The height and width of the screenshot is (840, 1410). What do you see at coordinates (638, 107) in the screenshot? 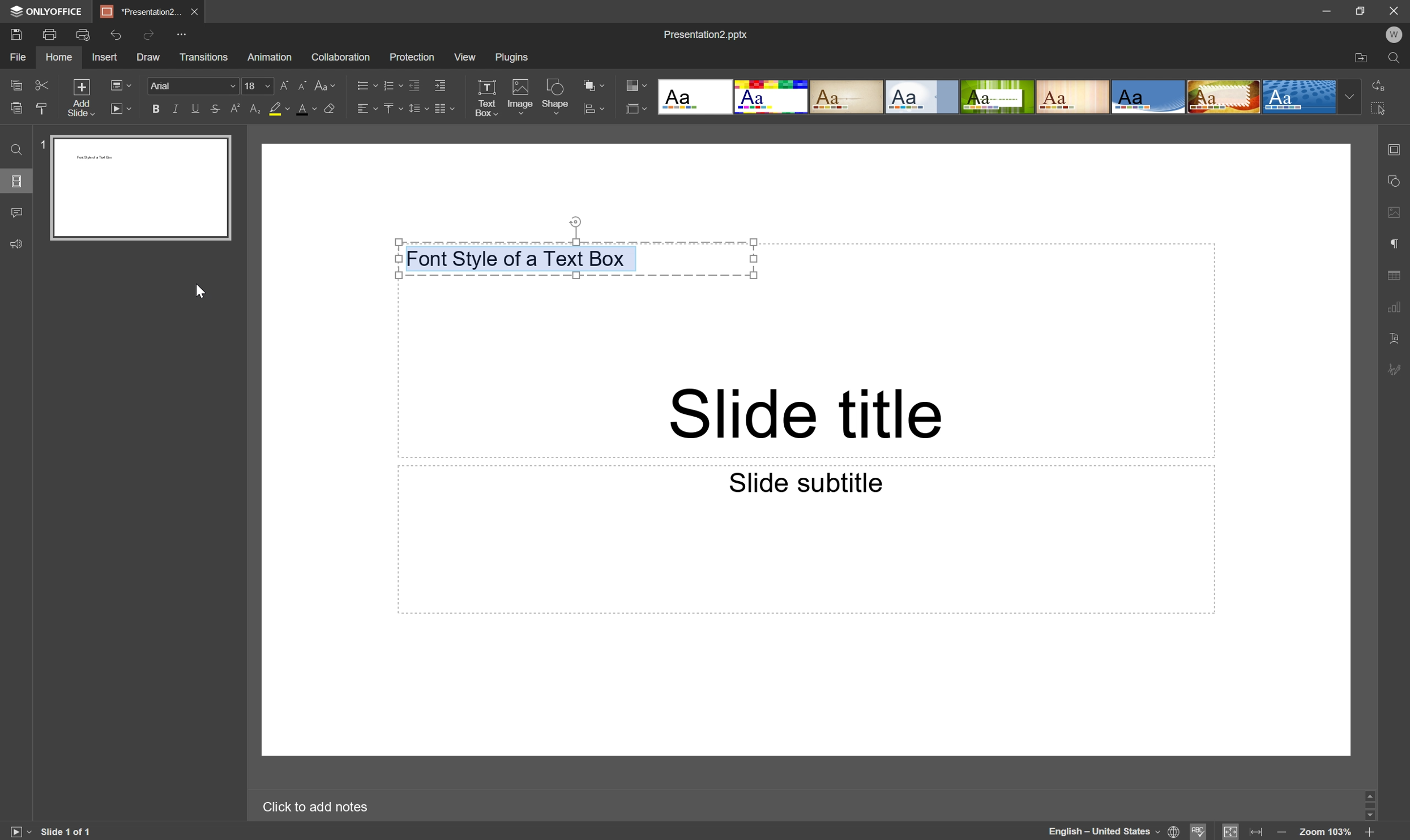
I see `Select slide layout` at bounding box center [638, 107].